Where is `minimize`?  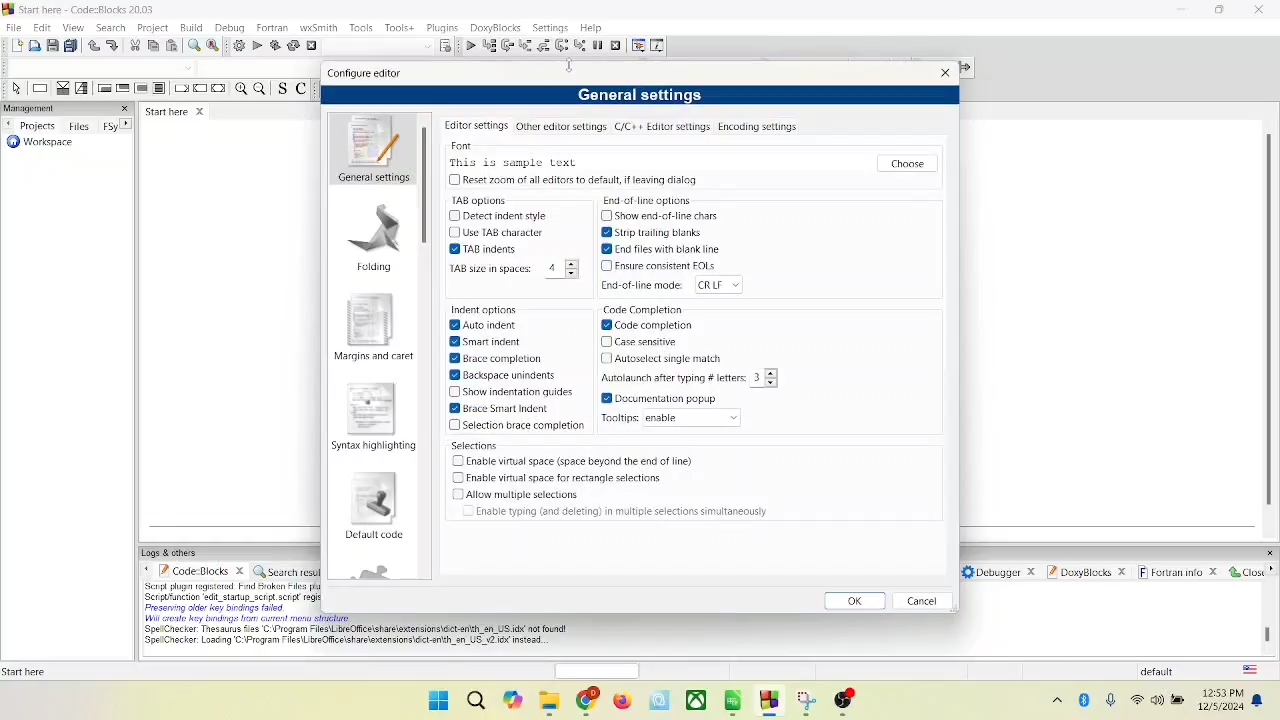
minimize is located at coordinates (1184, 10).